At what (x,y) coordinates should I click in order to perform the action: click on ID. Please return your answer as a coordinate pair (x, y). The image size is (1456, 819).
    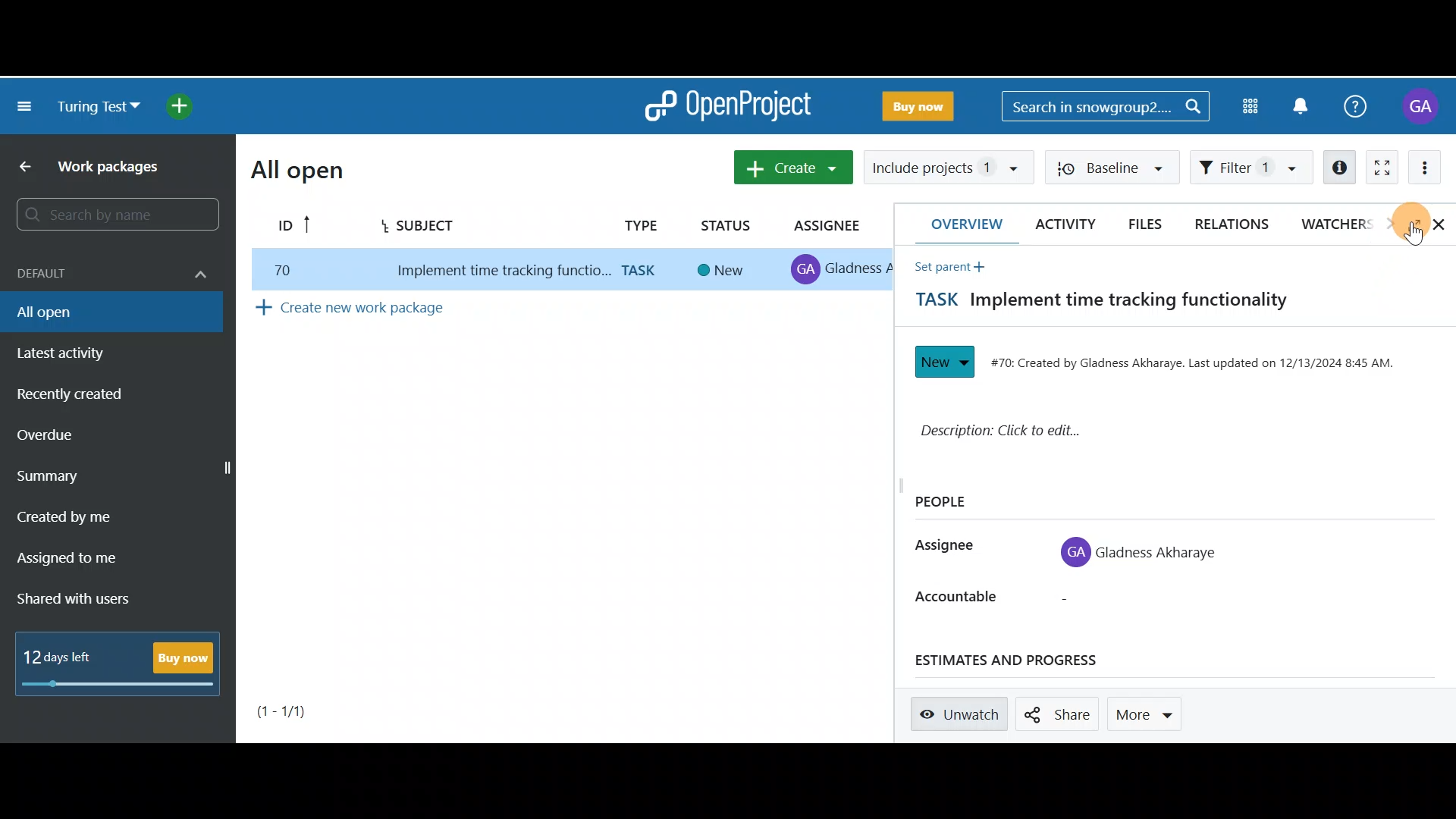
    Looking at the image, I should click on (293, 225).